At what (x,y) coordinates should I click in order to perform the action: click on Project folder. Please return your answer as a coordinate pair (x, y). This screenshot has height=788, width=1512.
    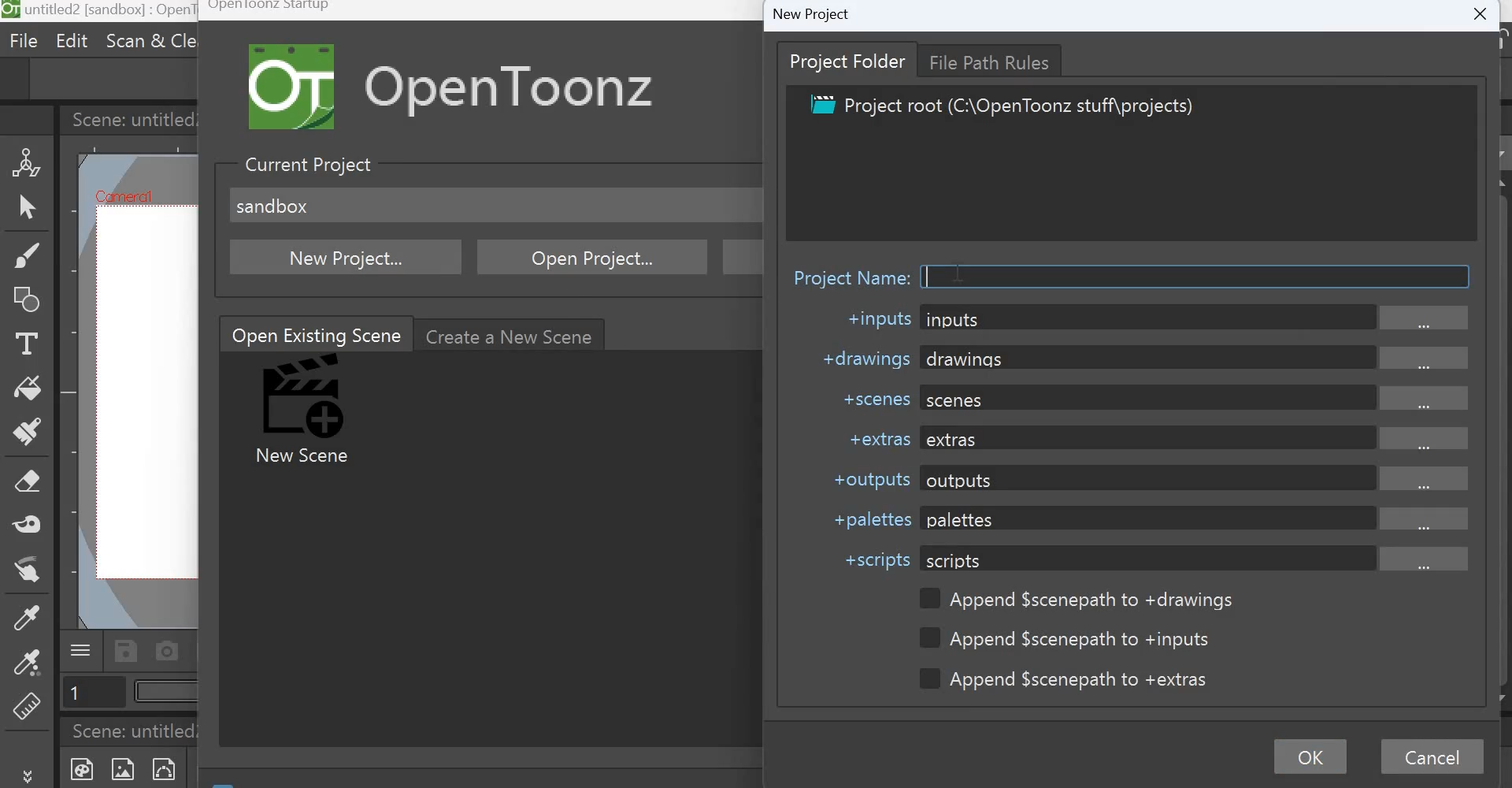
    Looking at the image, I should click on (849, 61).